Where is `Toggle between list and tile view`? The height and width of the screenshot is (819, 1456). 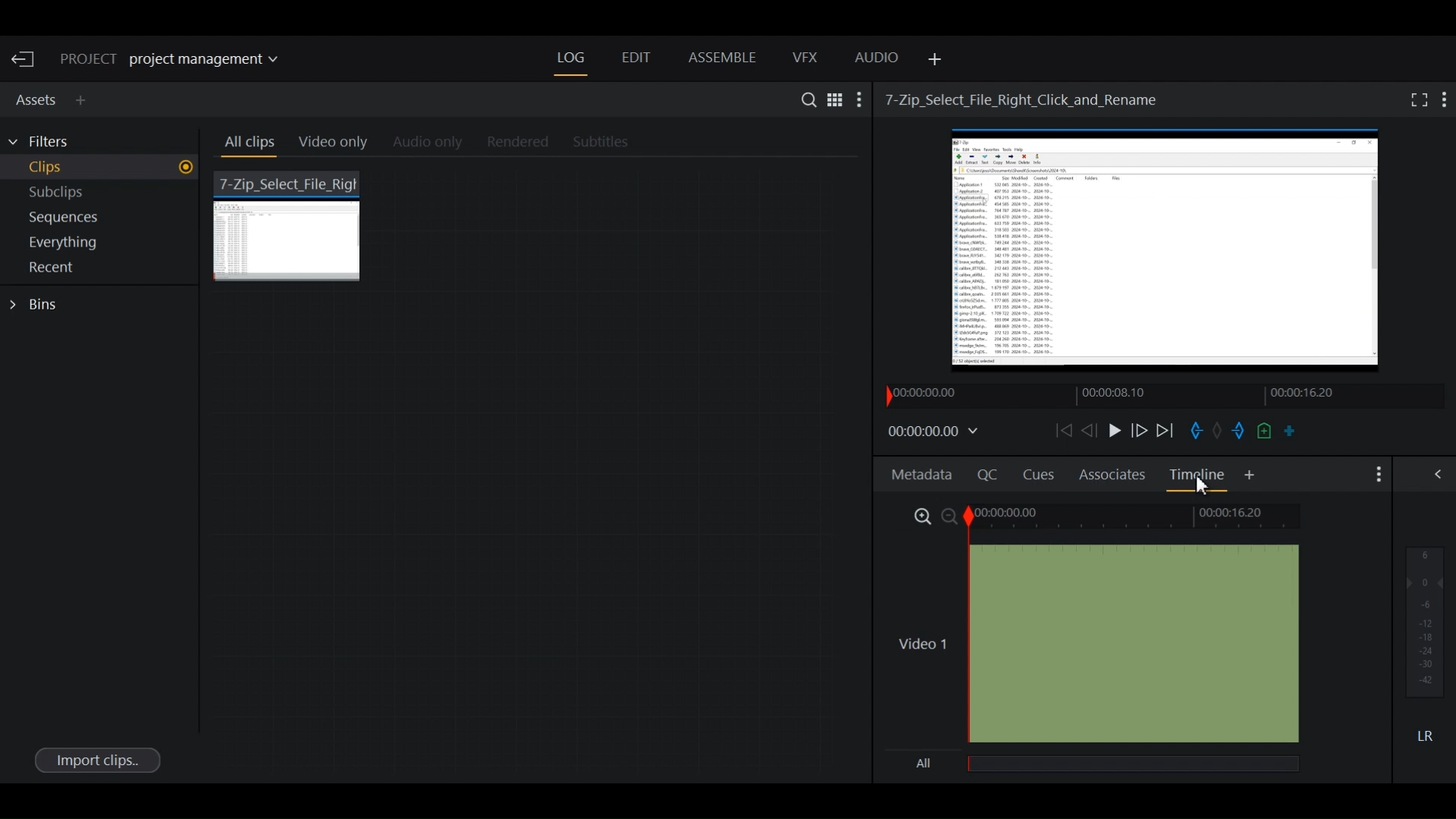
Toggle between list and tile view is located at coordinates (1367, 517).